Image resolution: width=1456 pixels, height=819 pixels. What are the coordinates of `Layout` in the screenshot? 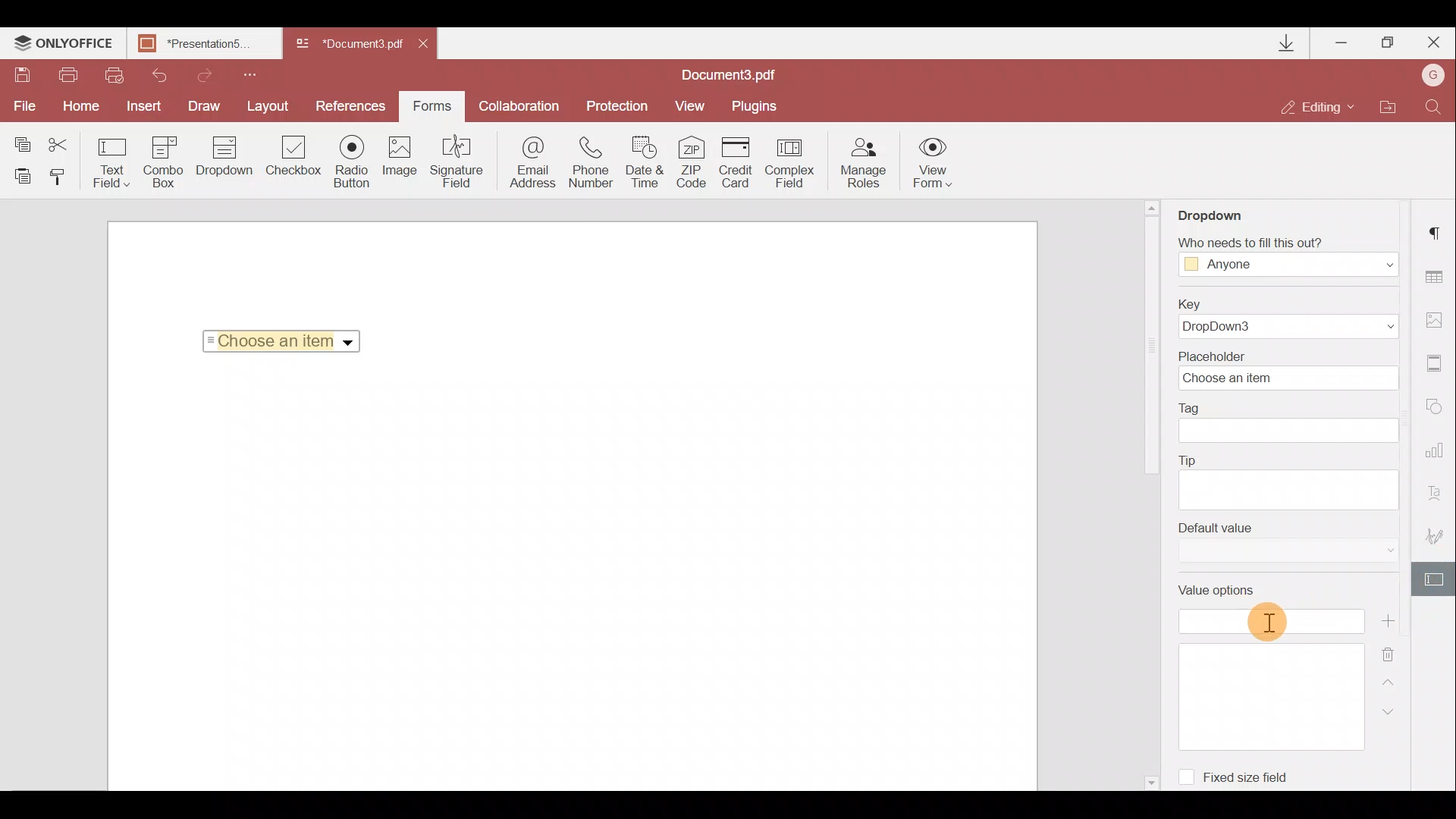 It's located at (272, 106).